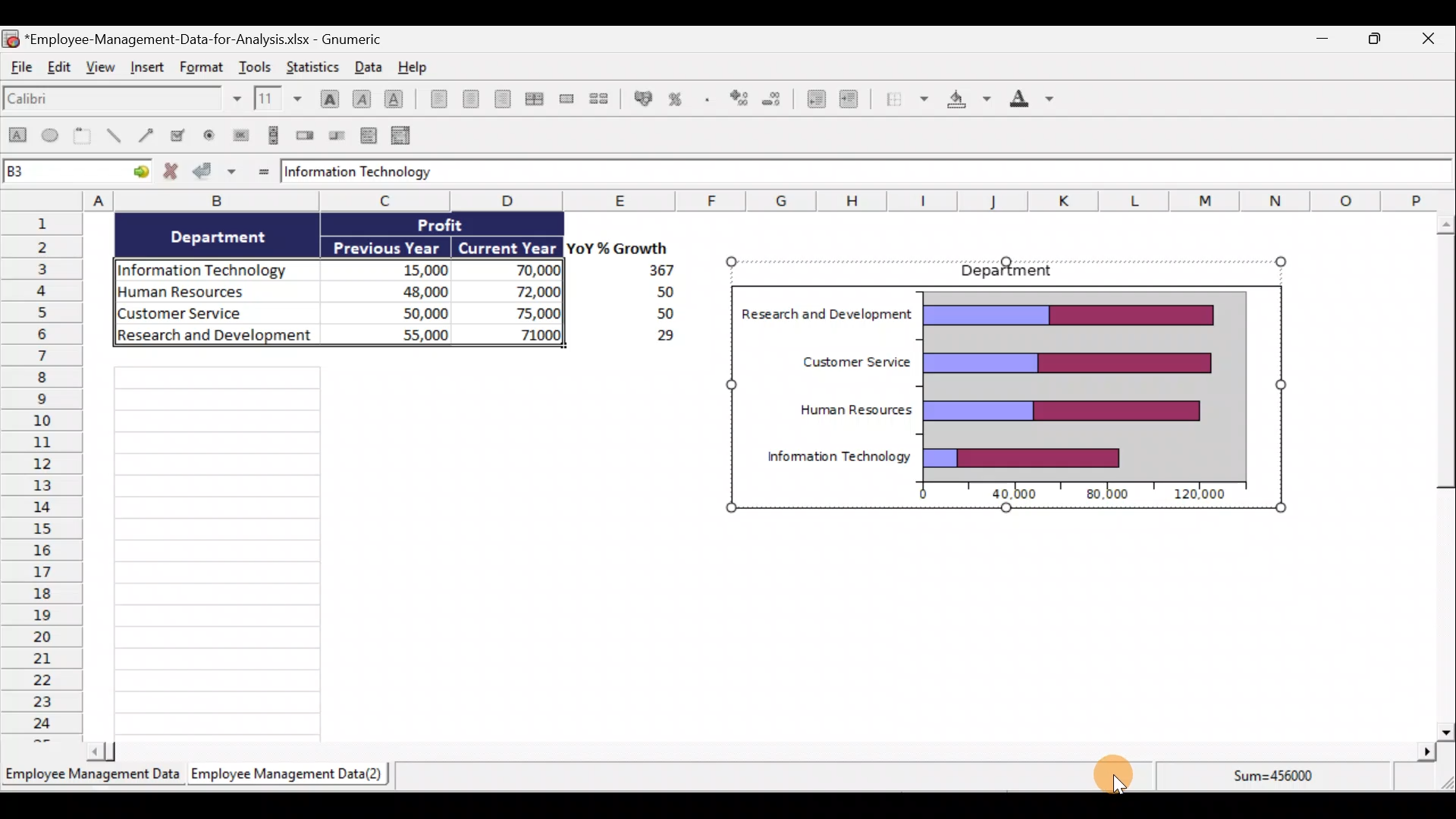 The height and width of the screenshot is (819, 1456). Describe the element at coordinates (238, 136) in the screenshot. I see `Create a button` at that location.